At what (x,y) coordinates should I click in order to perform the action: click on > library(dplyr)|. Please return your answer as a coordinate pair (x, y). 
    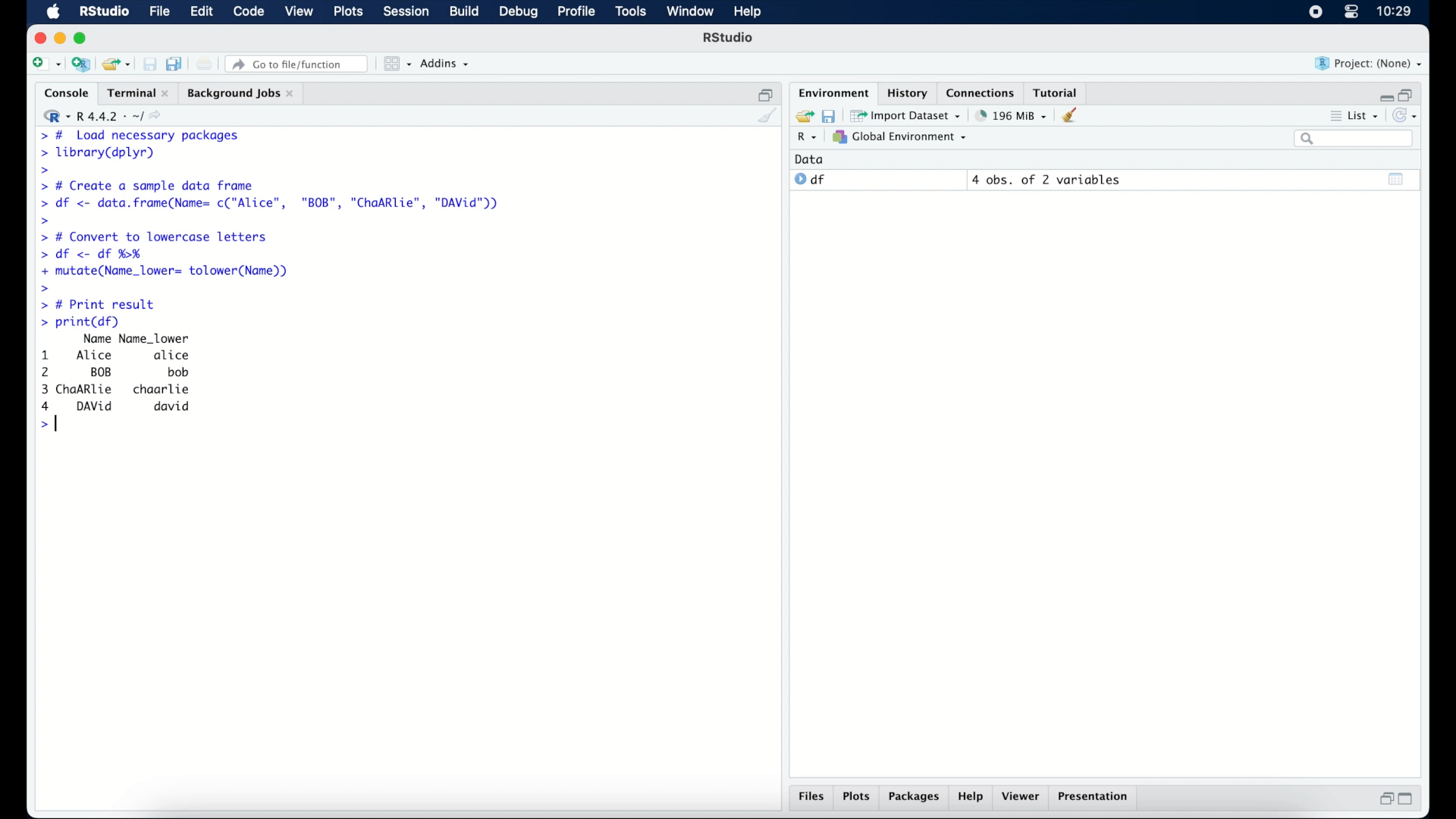
    Looking at the image, I should click on (101, 153).